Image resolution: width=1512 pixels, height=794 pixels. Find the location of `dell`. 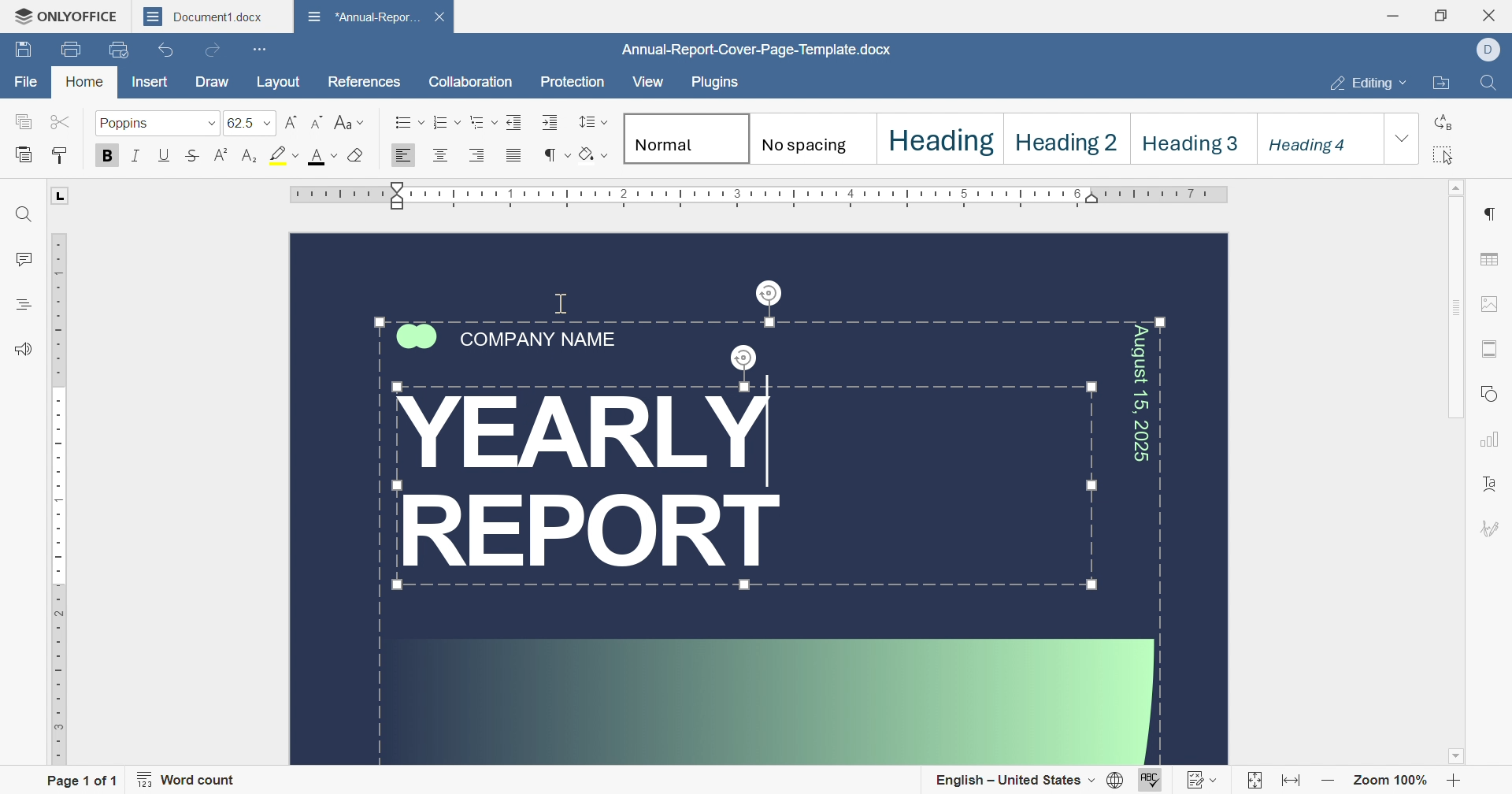

dell is located at coordinates (1490, 51).